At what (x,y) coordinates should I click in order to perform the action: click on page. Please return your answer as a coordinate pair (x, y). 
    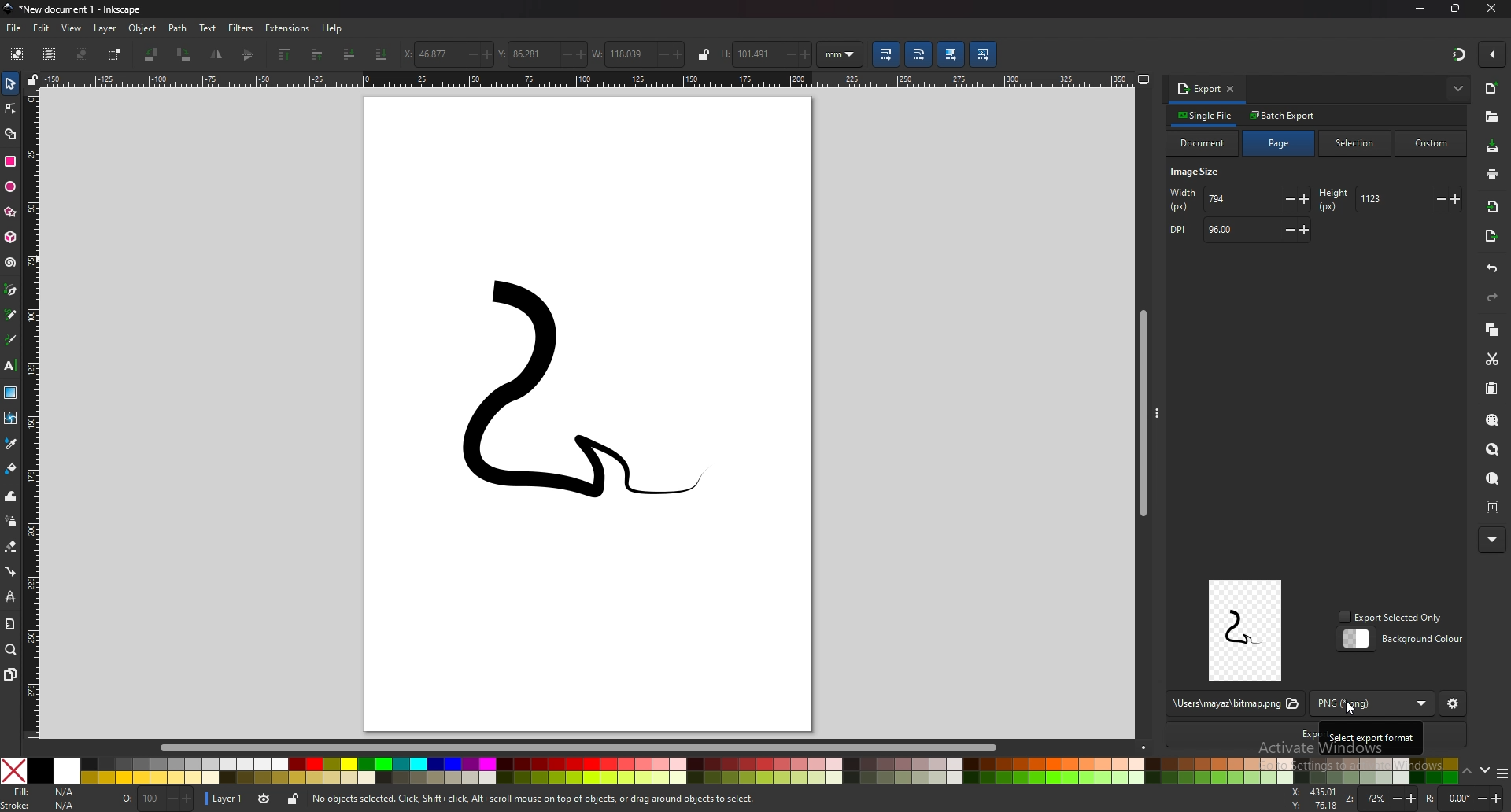
    Looking at the image, I should click on (1280, 143).